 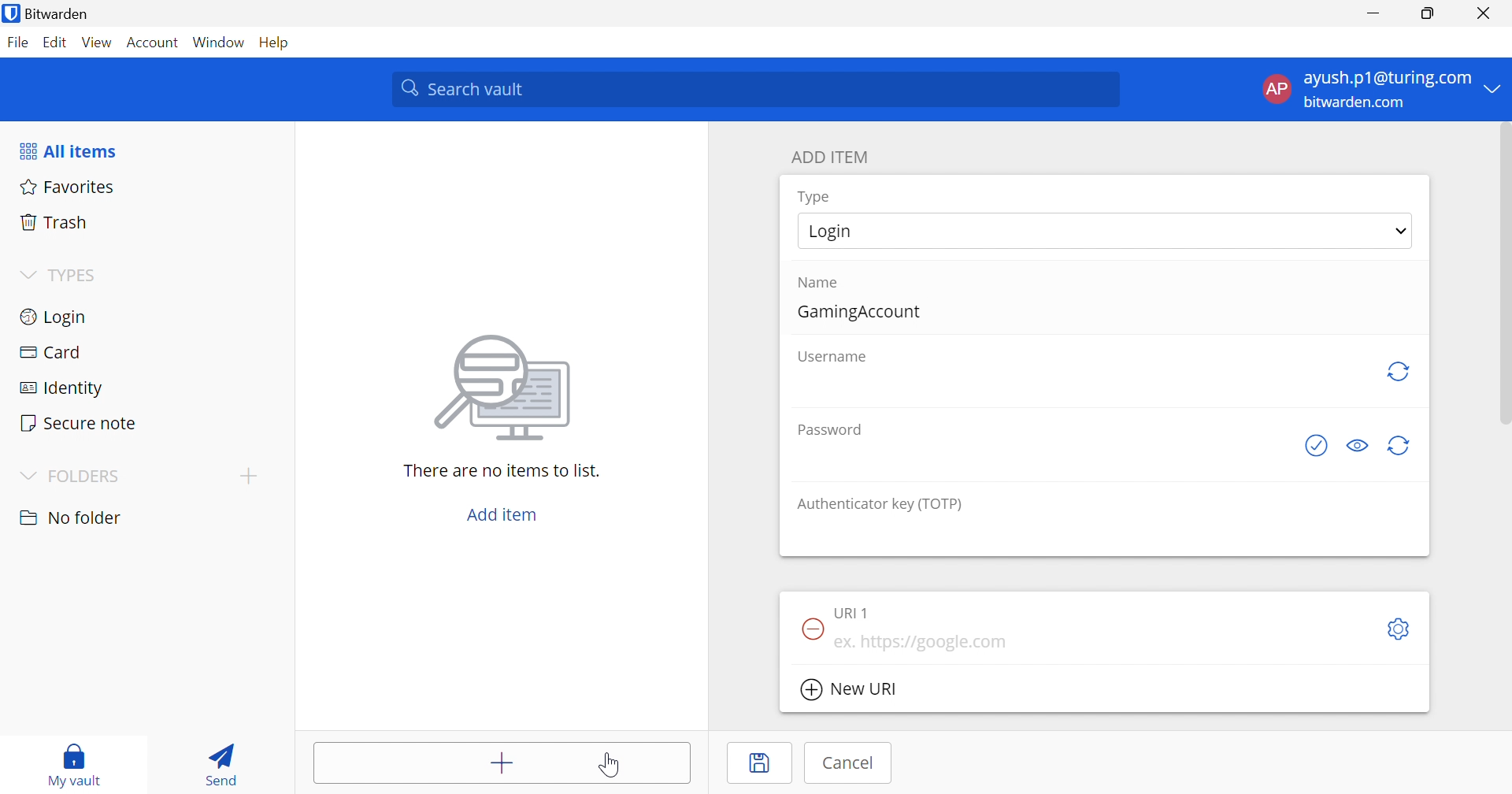 I want to click on Drop Down, so click(x=27, y=275).